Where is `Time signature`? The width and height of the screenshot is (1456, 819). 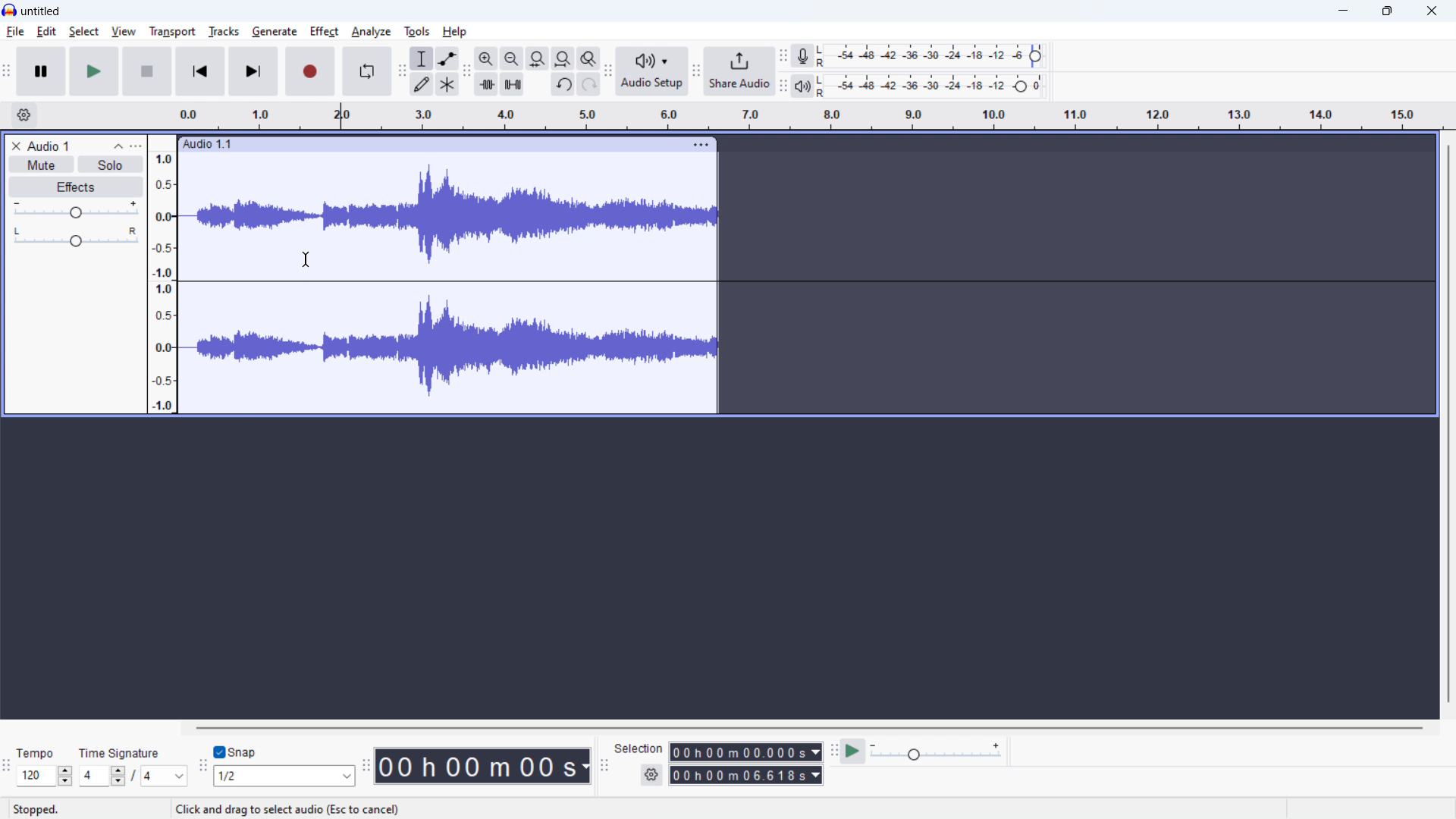 Time signature is located at coordinates (126, 752).